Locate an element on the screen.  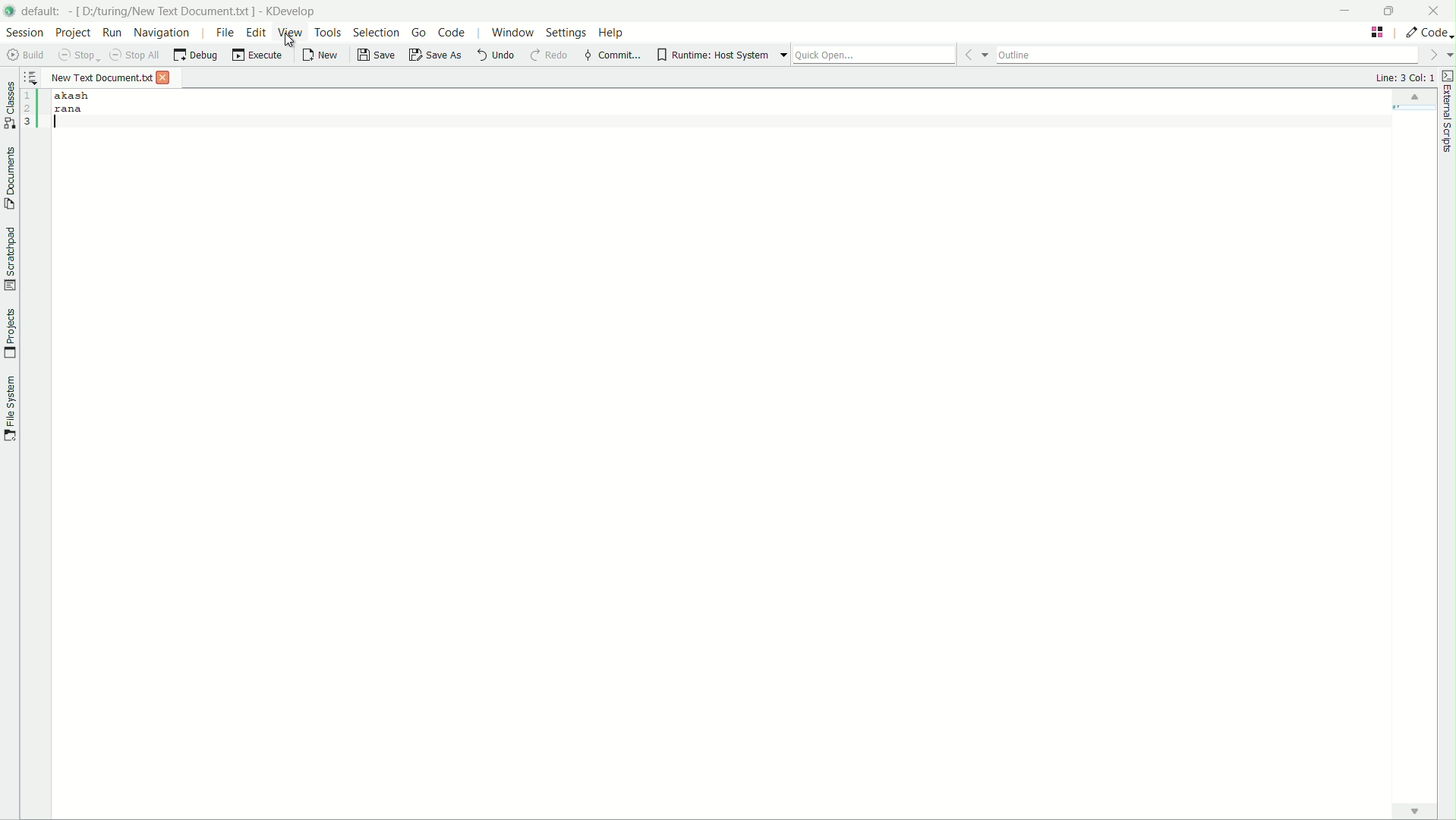
toggle projects is located at coordinates (9, 335).